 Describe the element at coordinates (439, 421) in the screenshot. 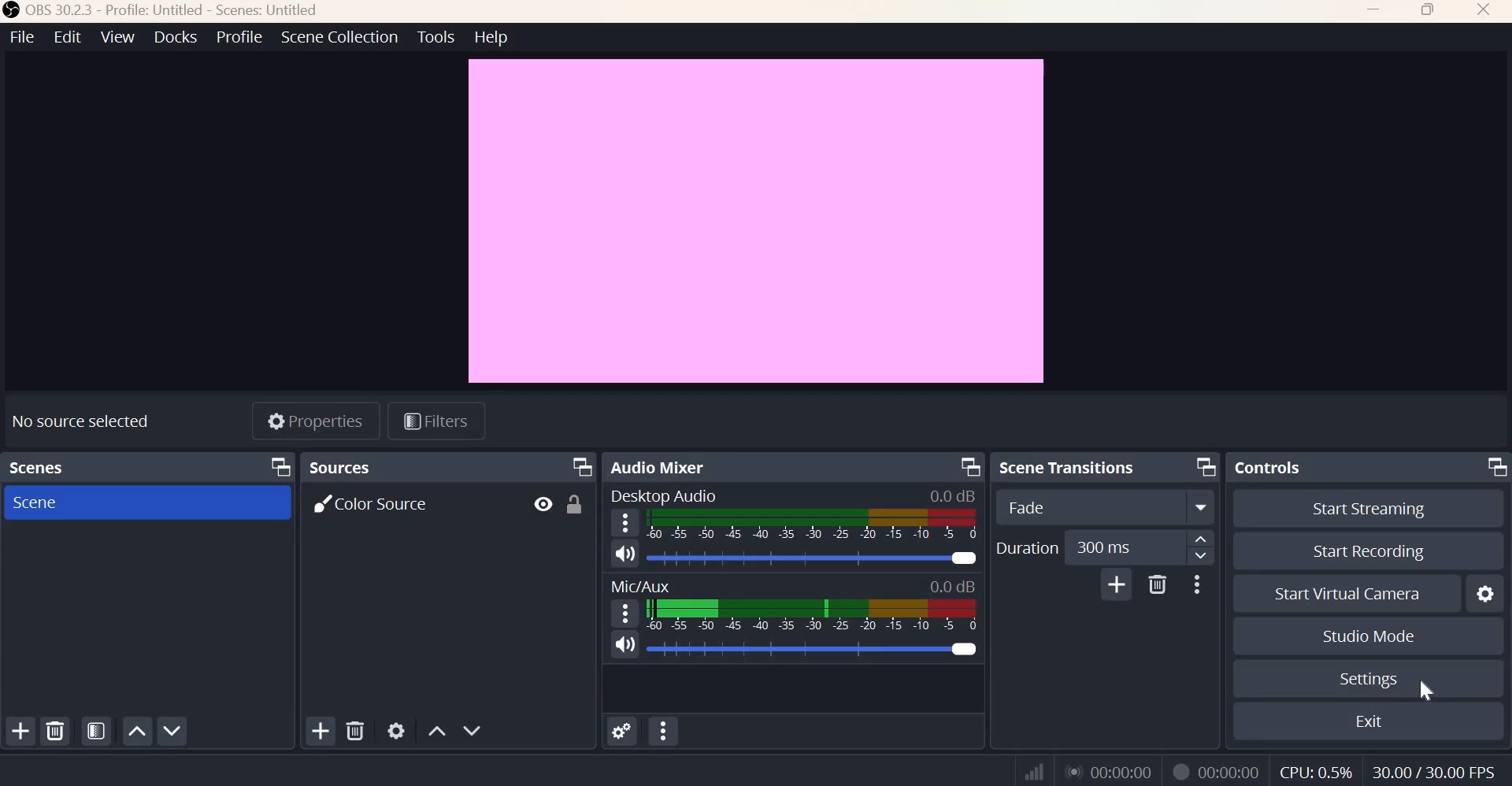

I see `Open source filters` at that location.